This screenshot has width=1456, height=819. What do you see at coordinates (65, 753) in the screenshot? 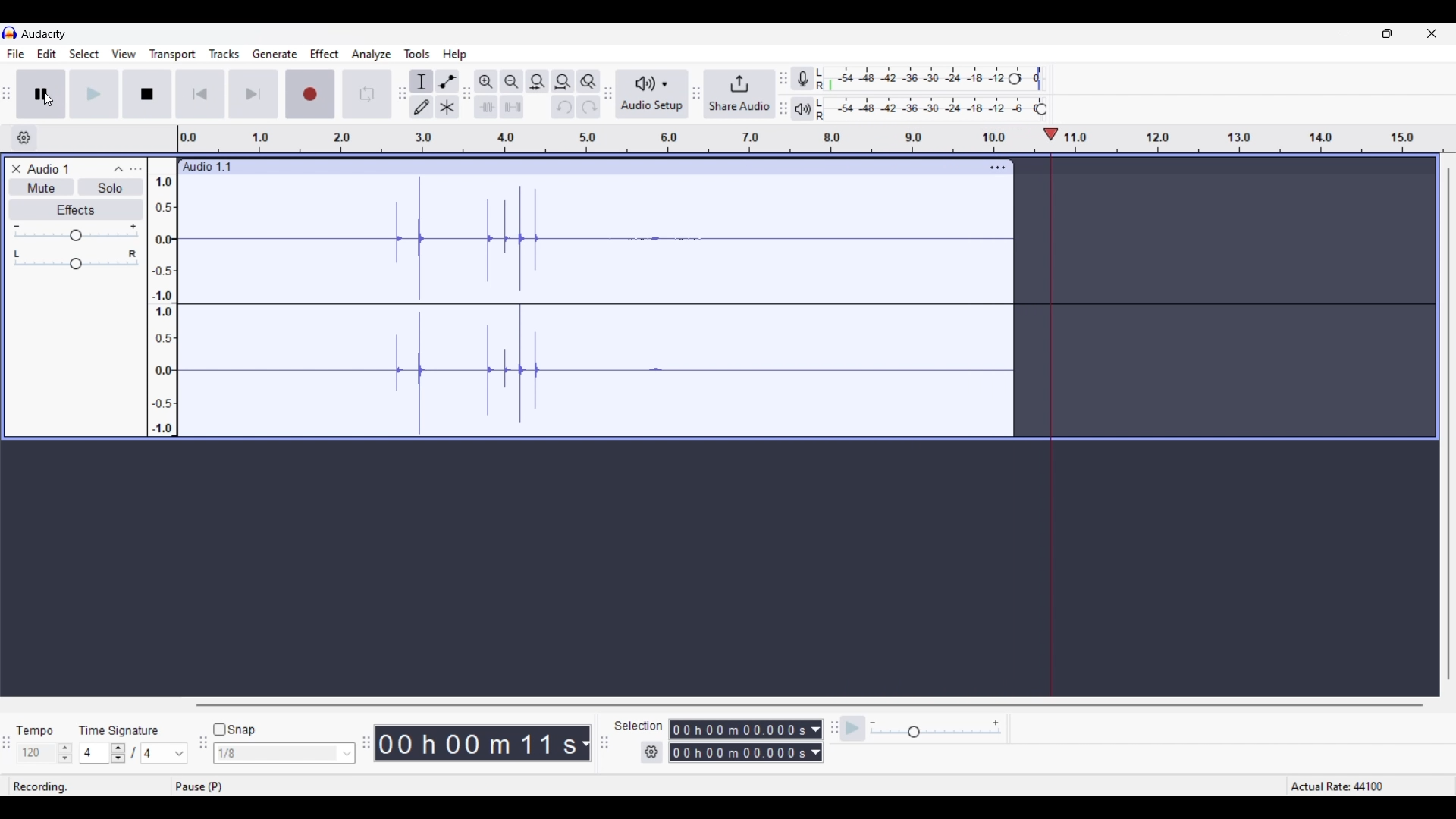
I see `Increase/Decrease tempo` at bounding box center [65, 753].